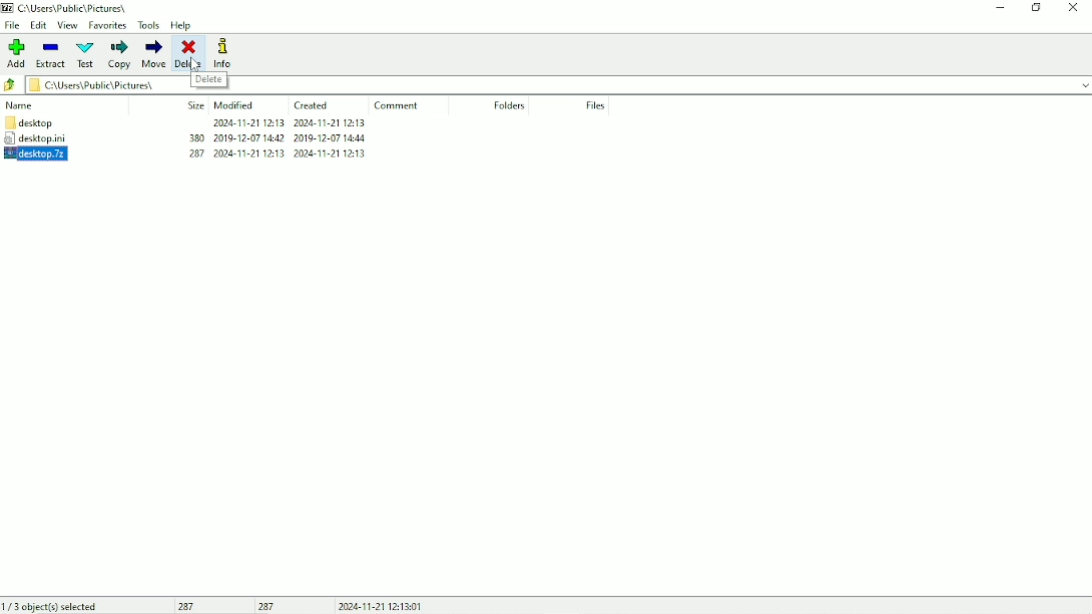 This screenshot has width=1092, height=614. What do you see at coordinates (1035, 8) in the screenshot?
I see `Restore down` at bounding box center [1035, 8].